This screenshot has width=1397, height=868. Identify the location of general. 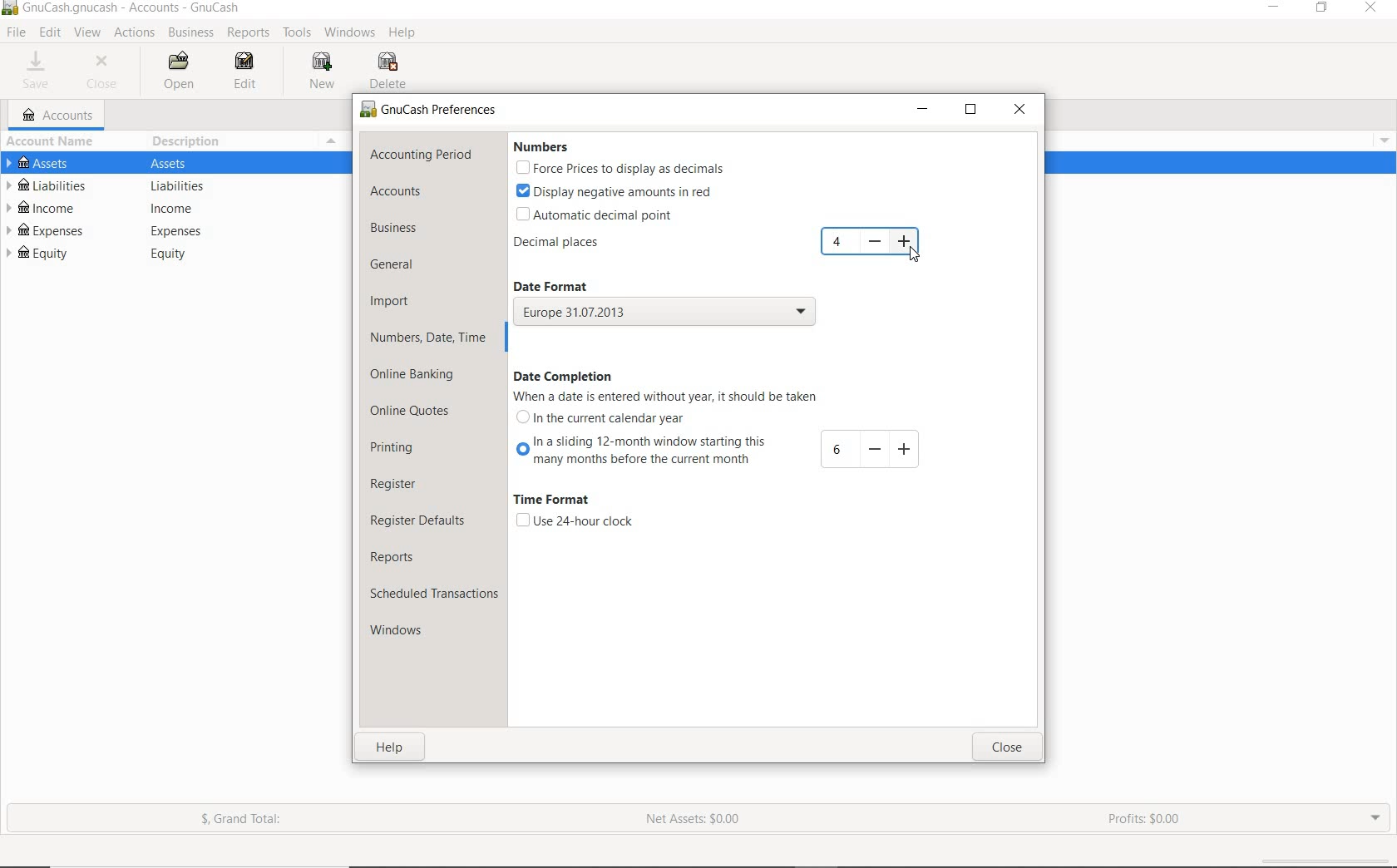
(398, 267).